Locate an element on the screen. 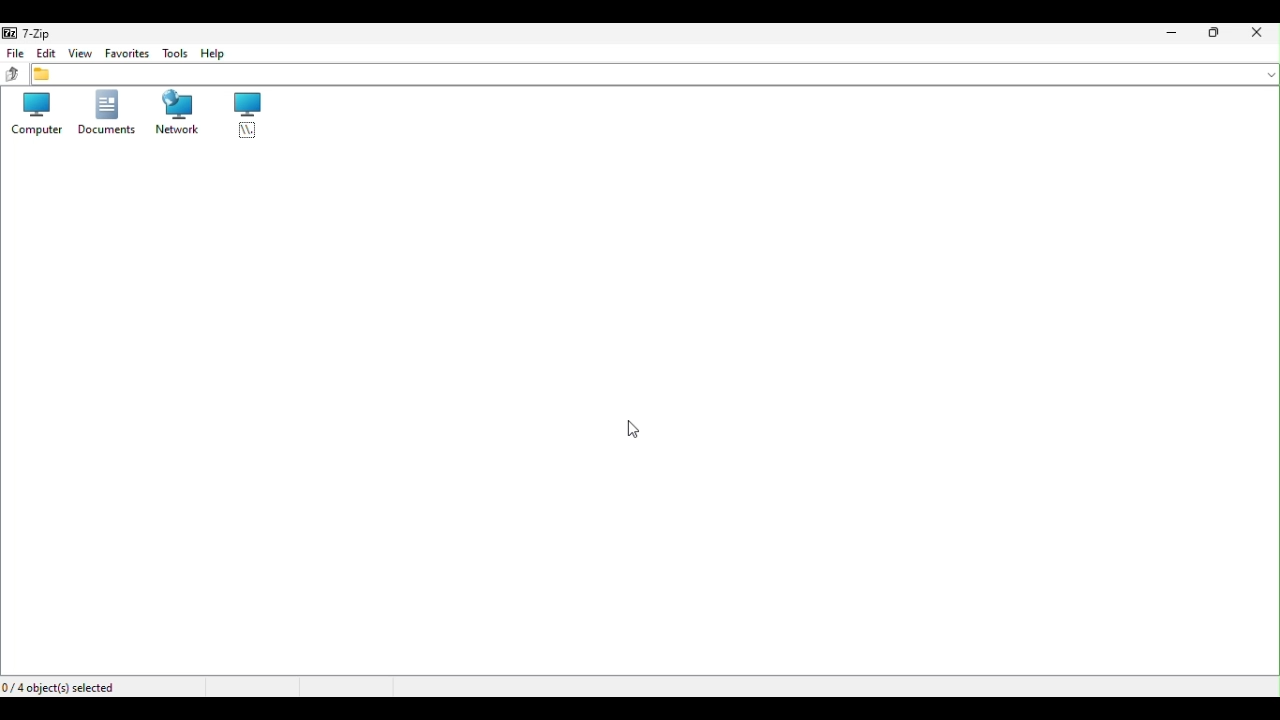 This screenshot has width=1280, height=720. cursor is located at coordinates (643, 429).